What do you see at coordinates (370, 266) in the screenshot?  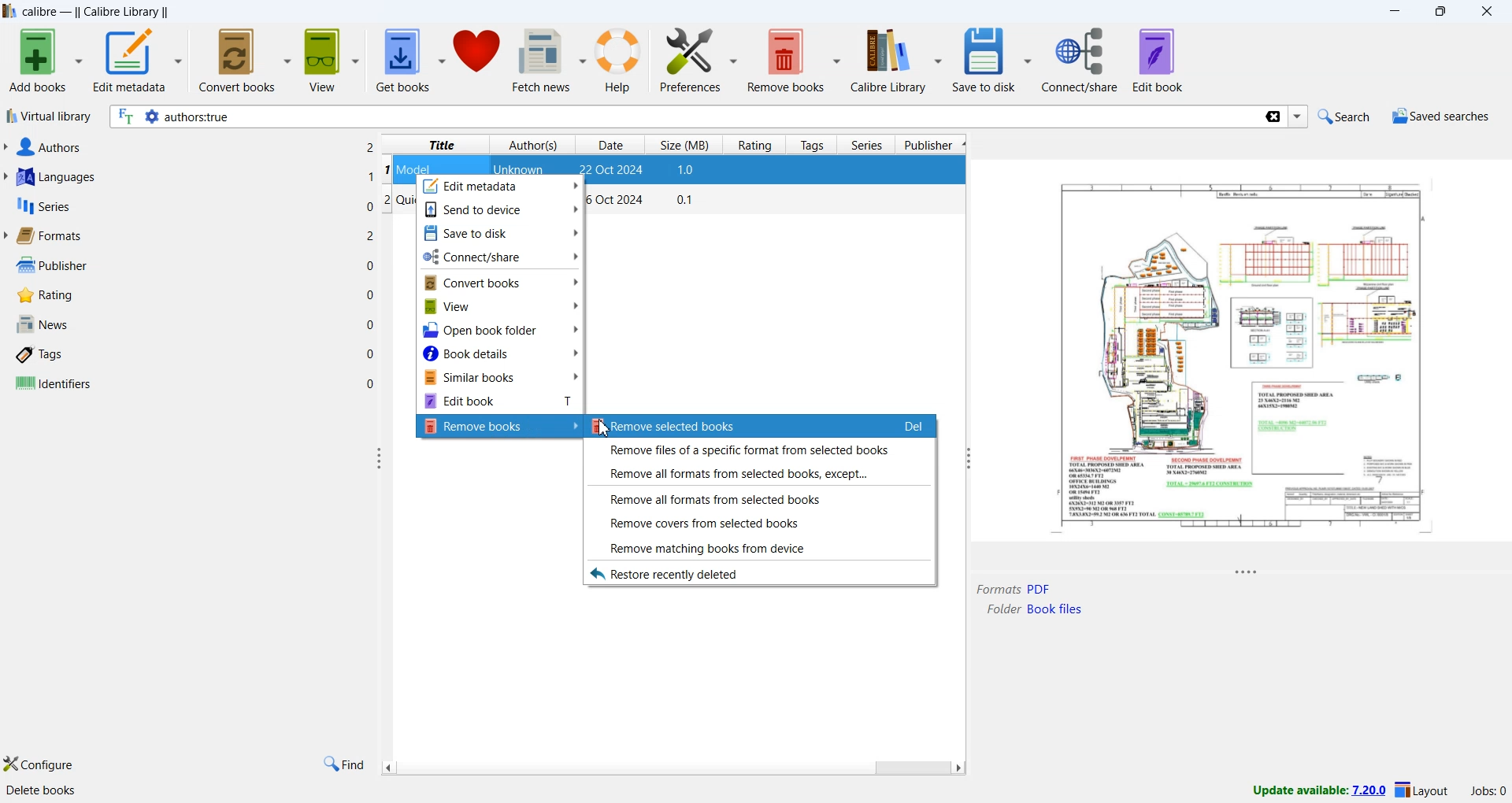 I see `0` at bounding box center [370, 266].